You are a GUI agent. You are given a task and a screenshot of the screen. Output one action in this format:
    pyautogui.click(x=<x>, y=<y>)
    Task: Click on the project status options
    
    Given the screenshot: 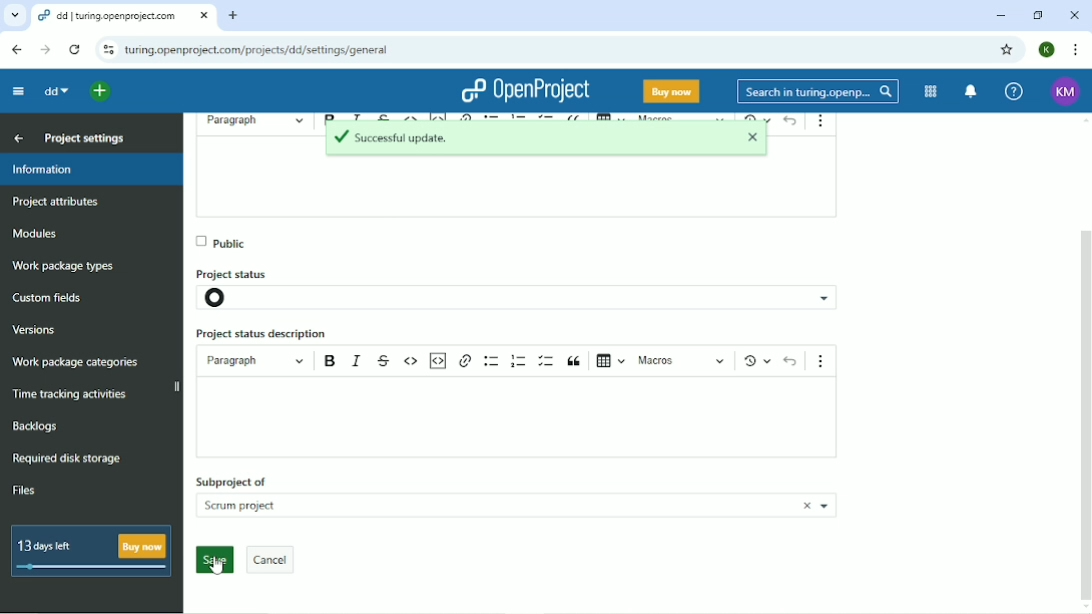 What is the action you would take?
    pyautogui.click(x=809, y=297)
    